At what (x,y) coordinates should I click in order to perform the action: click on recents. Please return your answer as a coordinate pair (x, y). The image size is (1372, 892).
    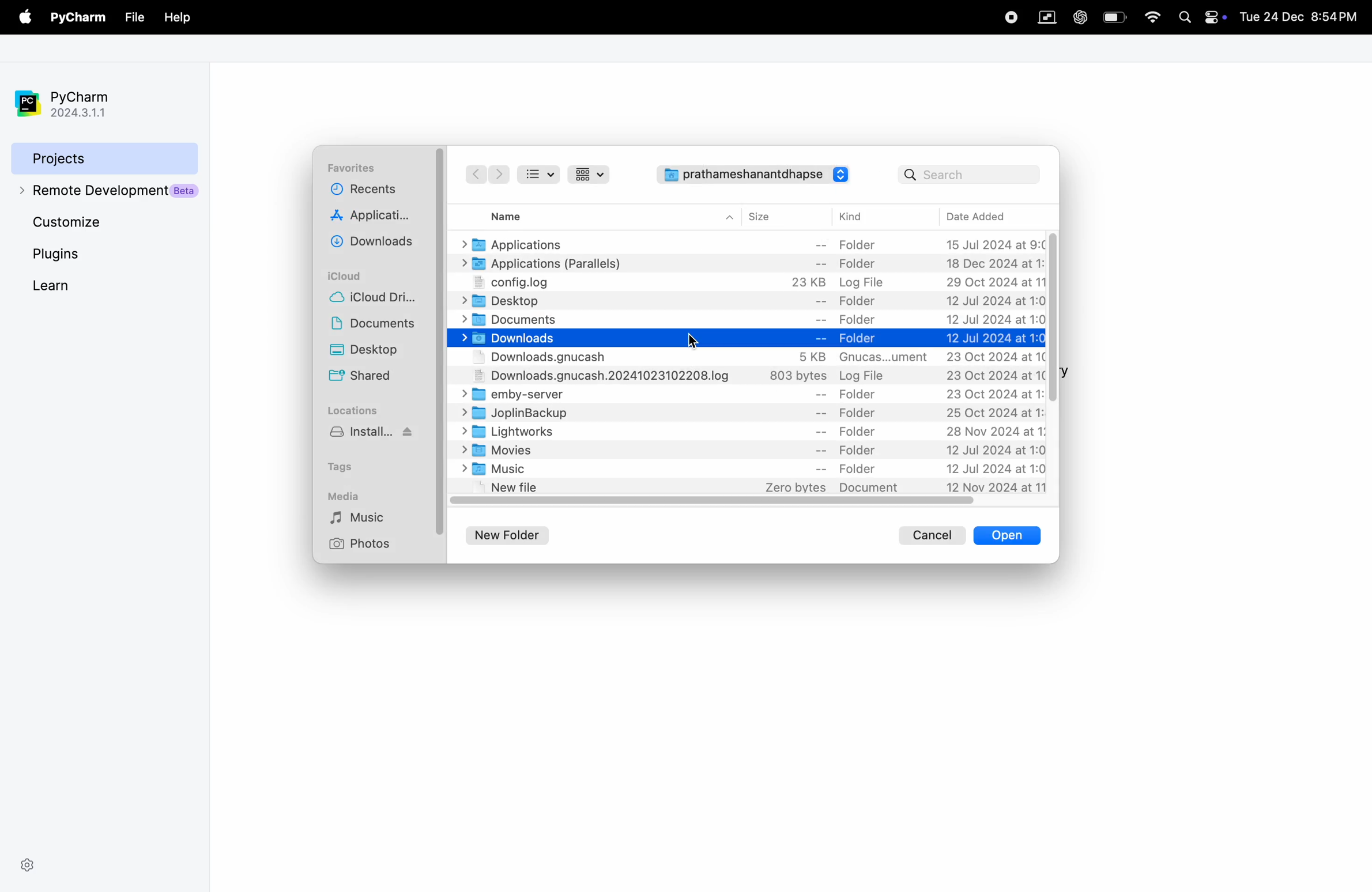
    Looking at the image, I should click on (361, 192).